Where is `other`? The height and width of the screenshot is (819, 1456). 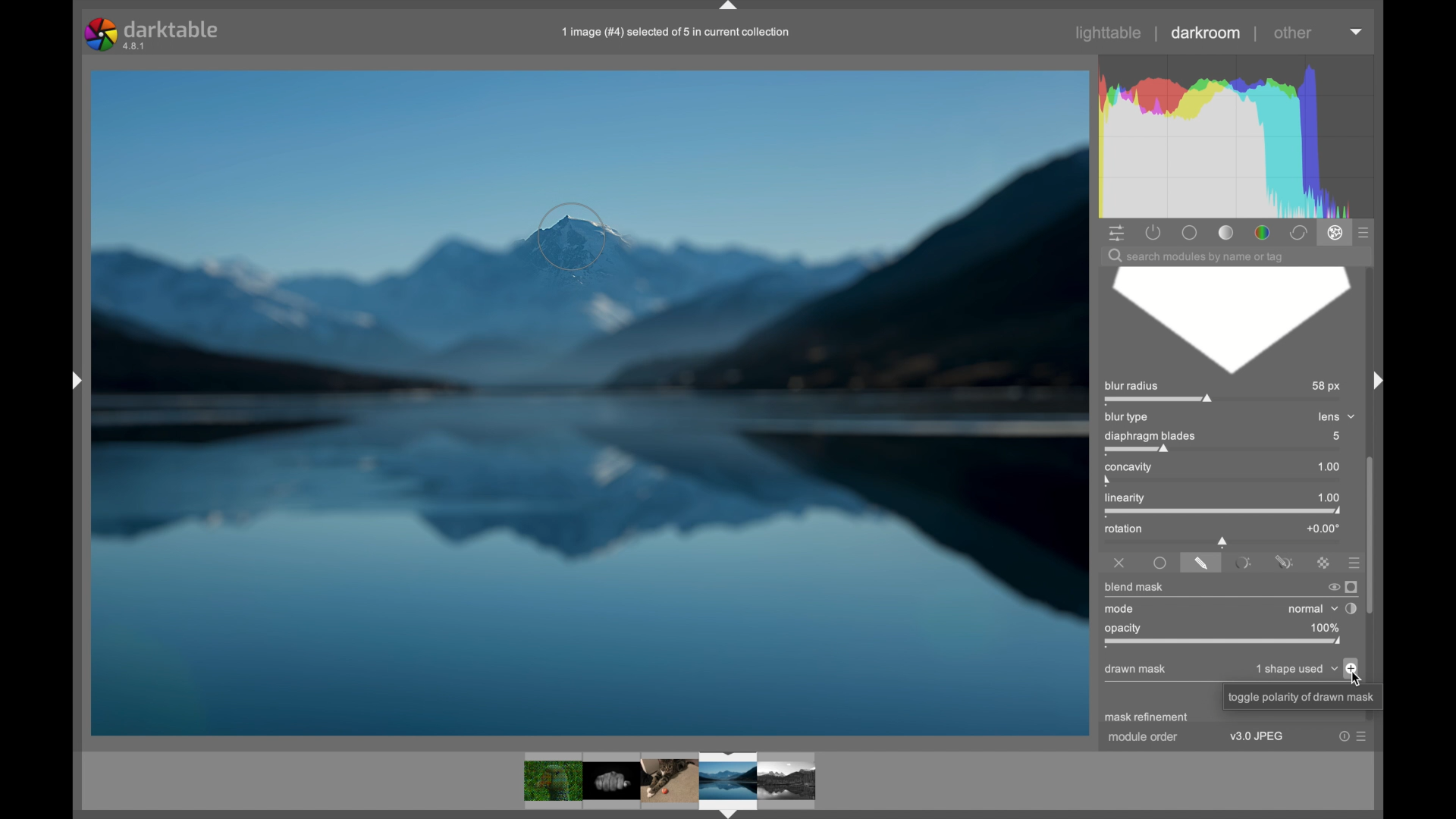
other is located at coordinates (1293, 33).